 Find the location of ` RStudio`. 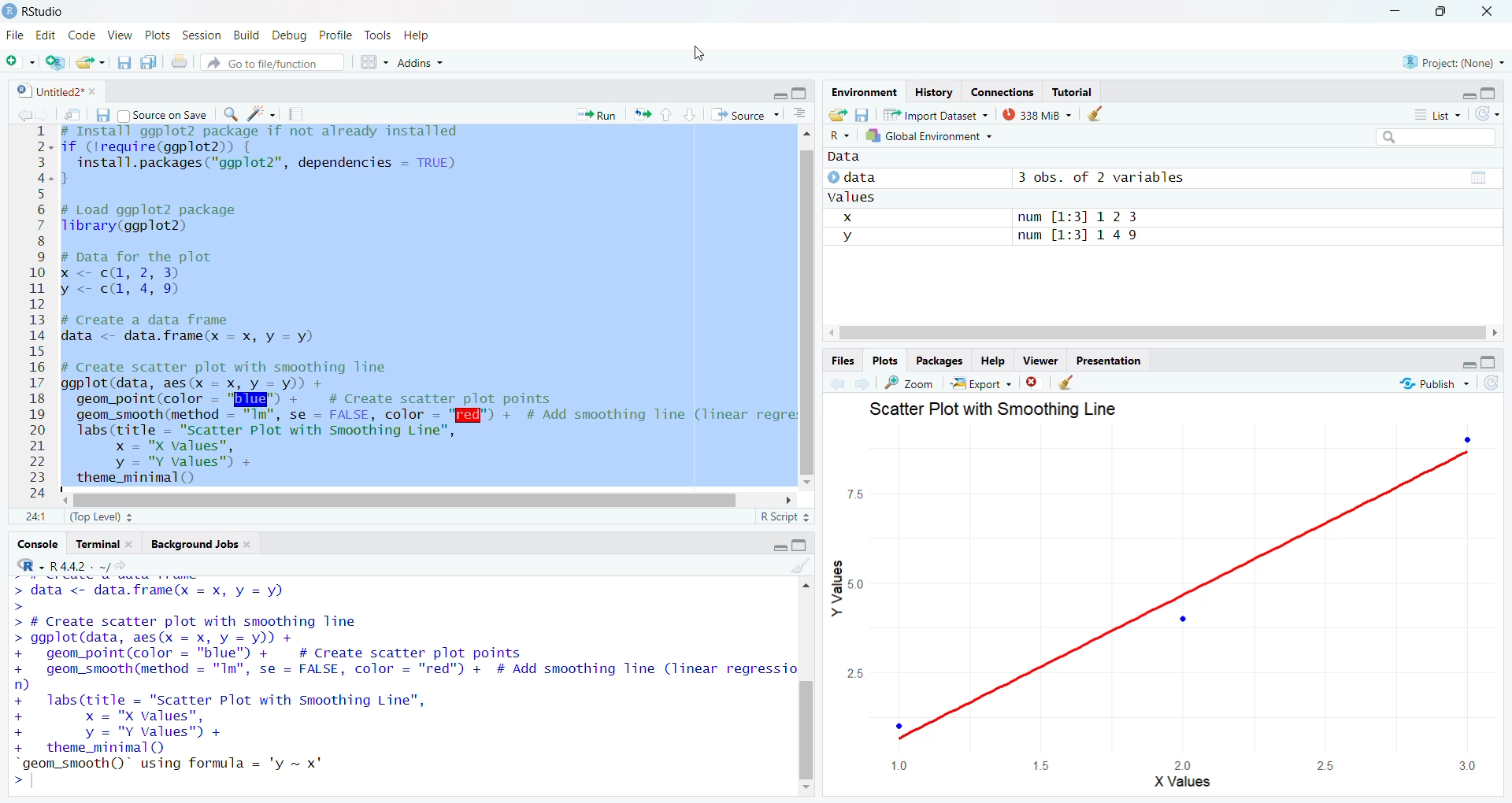

 RStudio is located at coordinates (37, 9).